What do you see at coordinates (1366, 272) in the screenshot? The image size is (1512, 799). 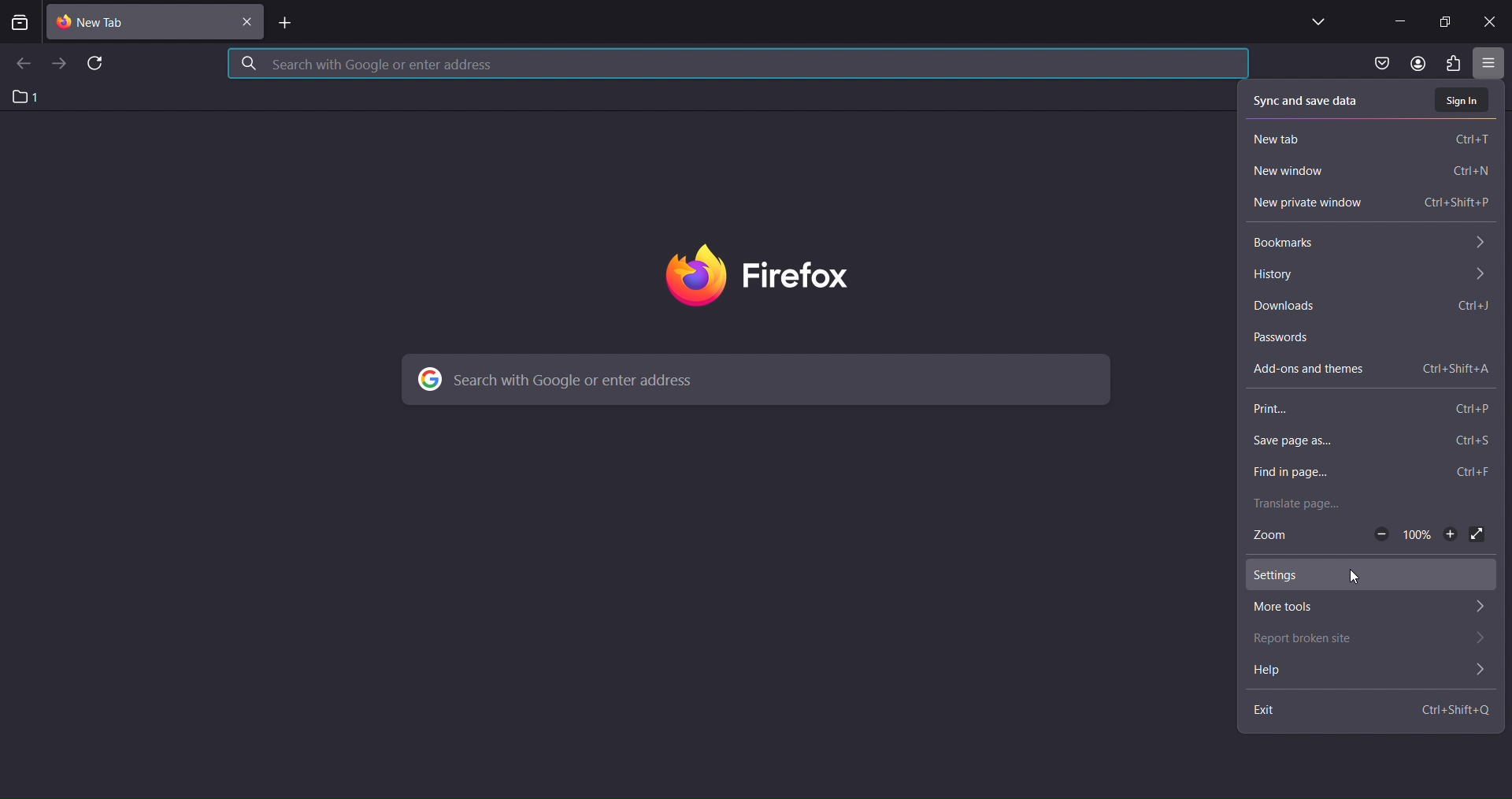 I see `history` at bounding box center [1366, 272].